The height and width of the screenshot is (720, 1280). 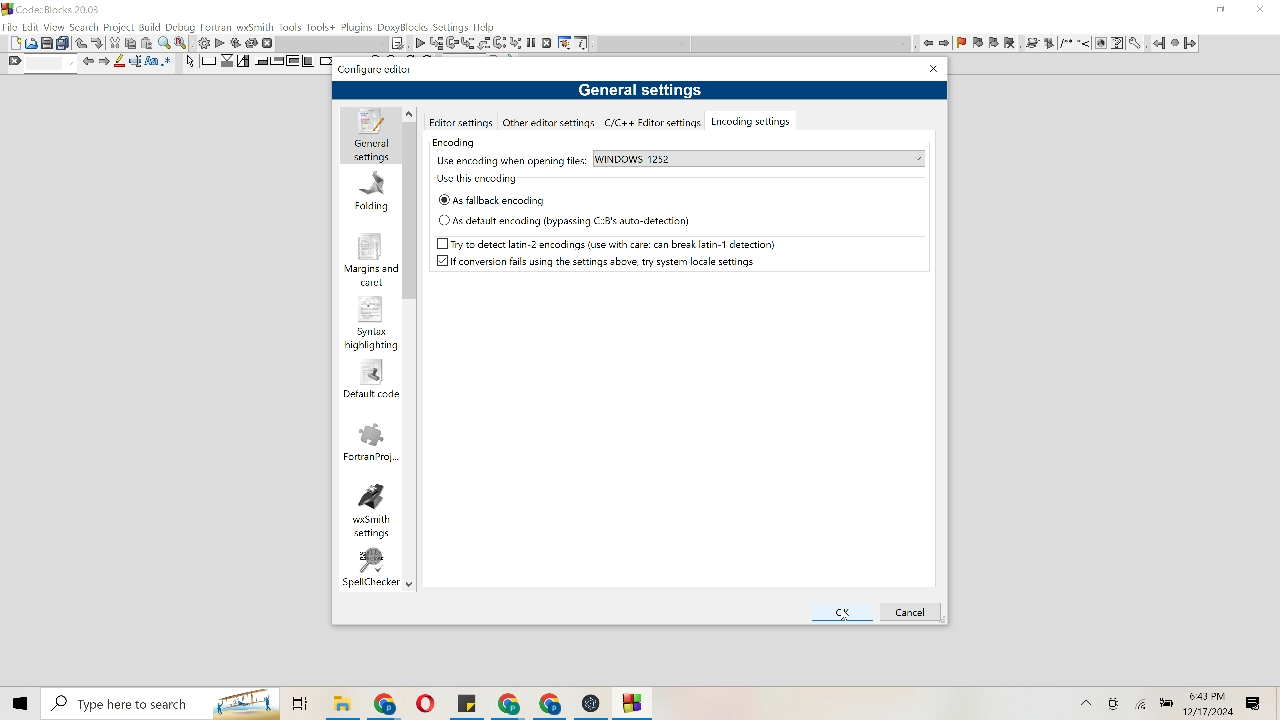 I want to click on Other editor settings, so click(x=548, y=123).